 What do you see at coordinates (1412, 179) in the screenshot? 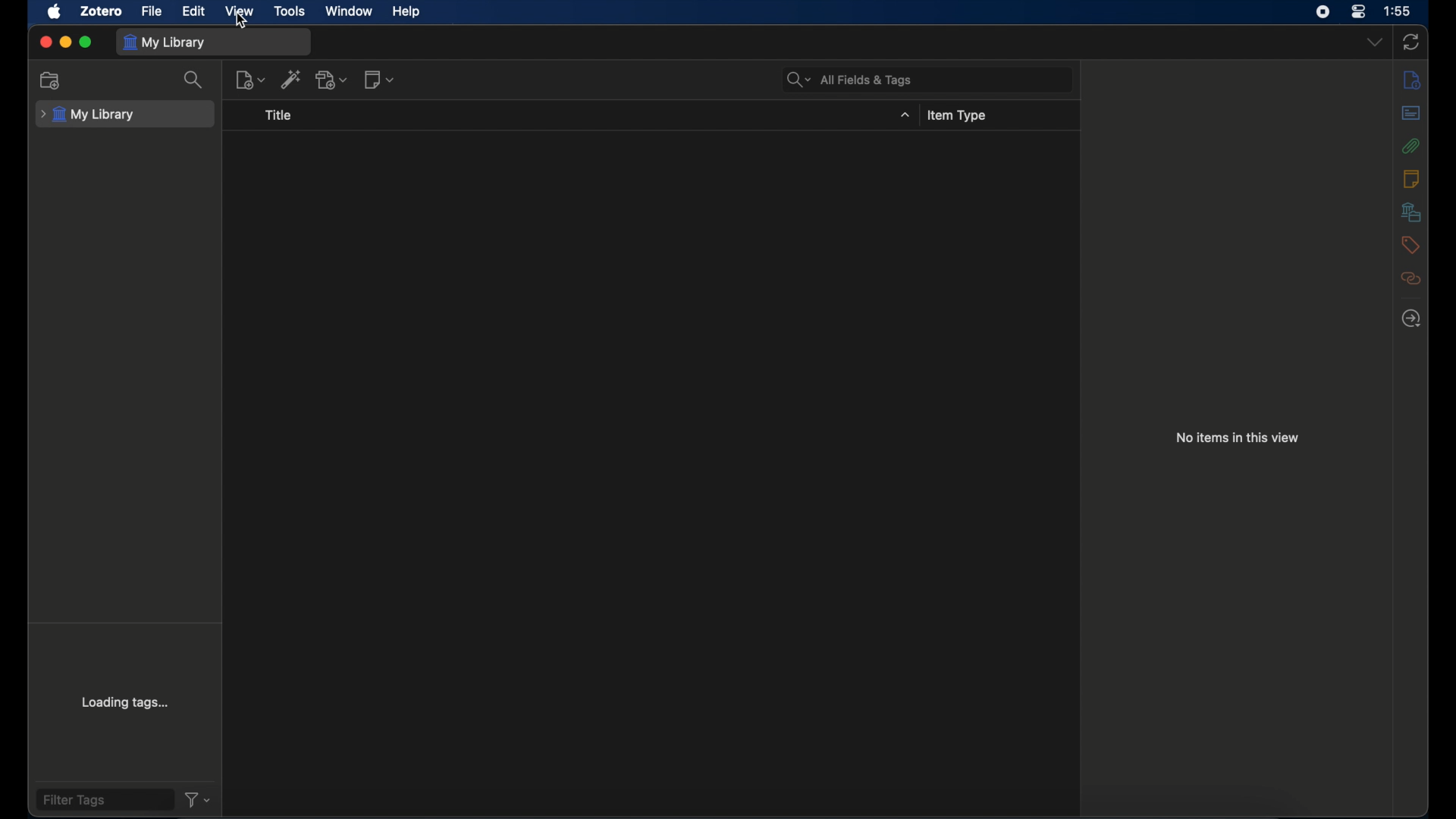
I see `notes` at bounding box center [1412, 179].